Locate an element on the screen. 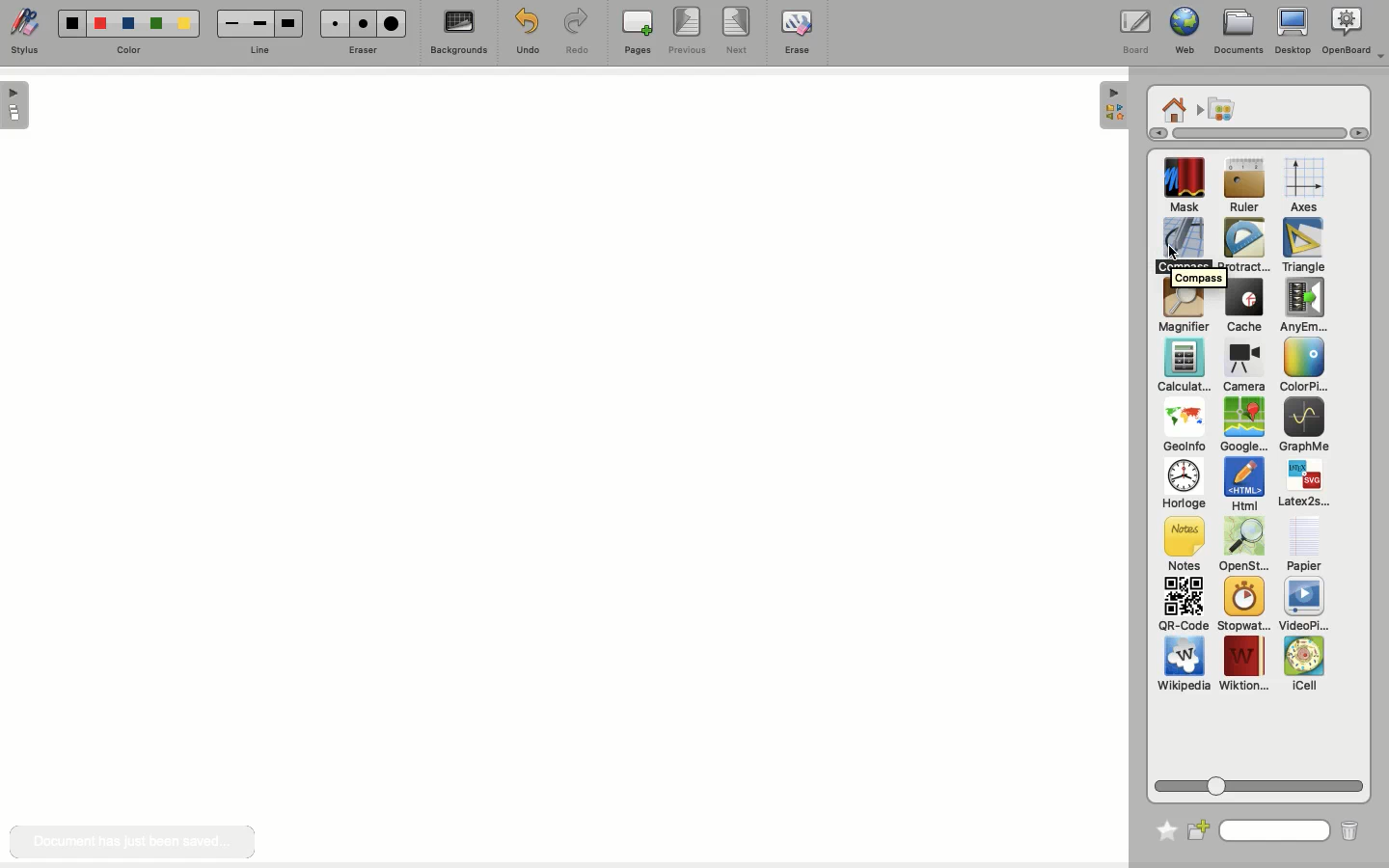 Image resolution: width=1389 pixels, height=868 pixels. Undo is located at coordinates (525, 31).